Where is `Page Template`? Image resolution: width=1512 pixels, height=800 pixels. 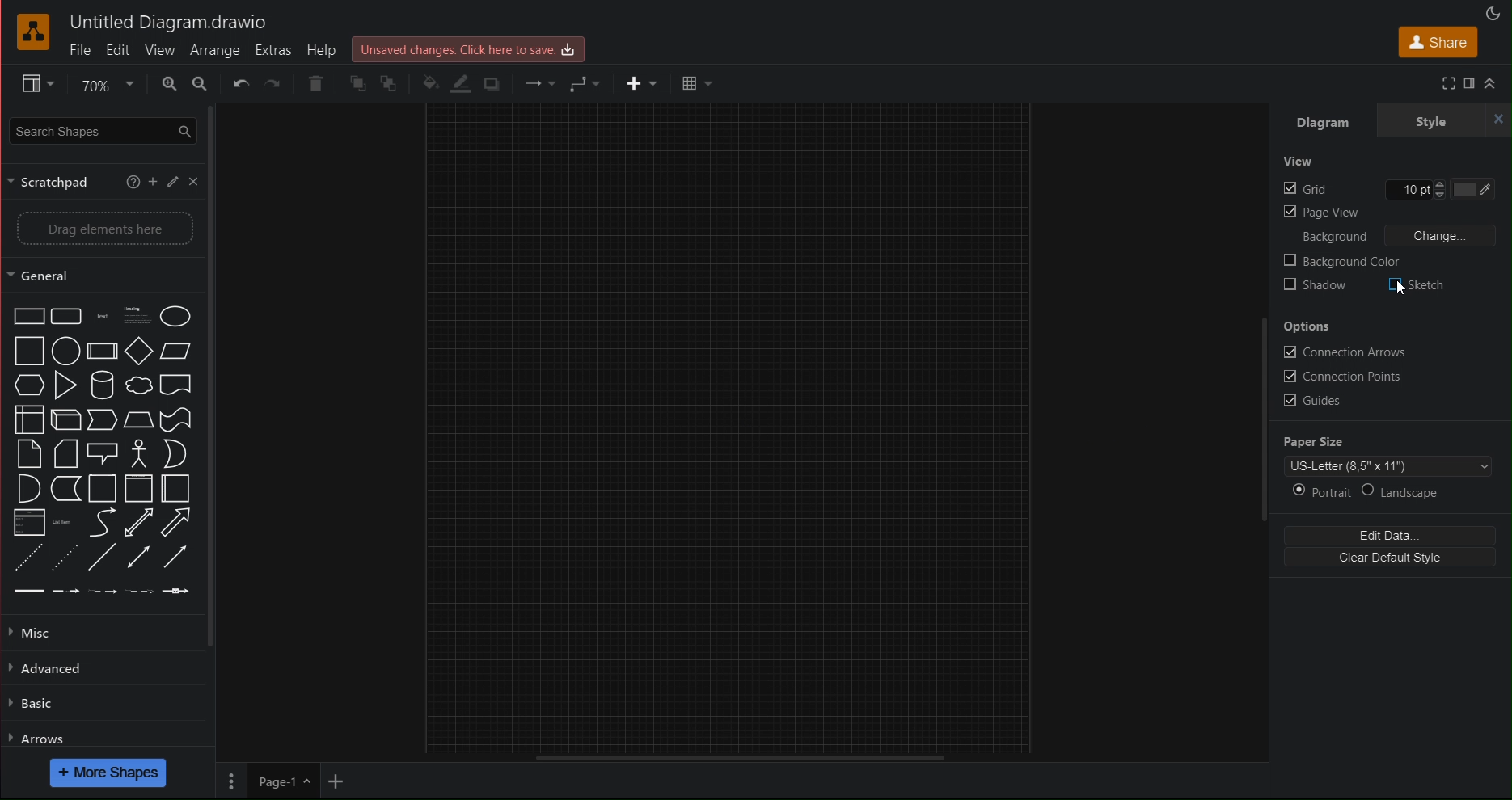 Page Template is located at coordinates (1386, 466).